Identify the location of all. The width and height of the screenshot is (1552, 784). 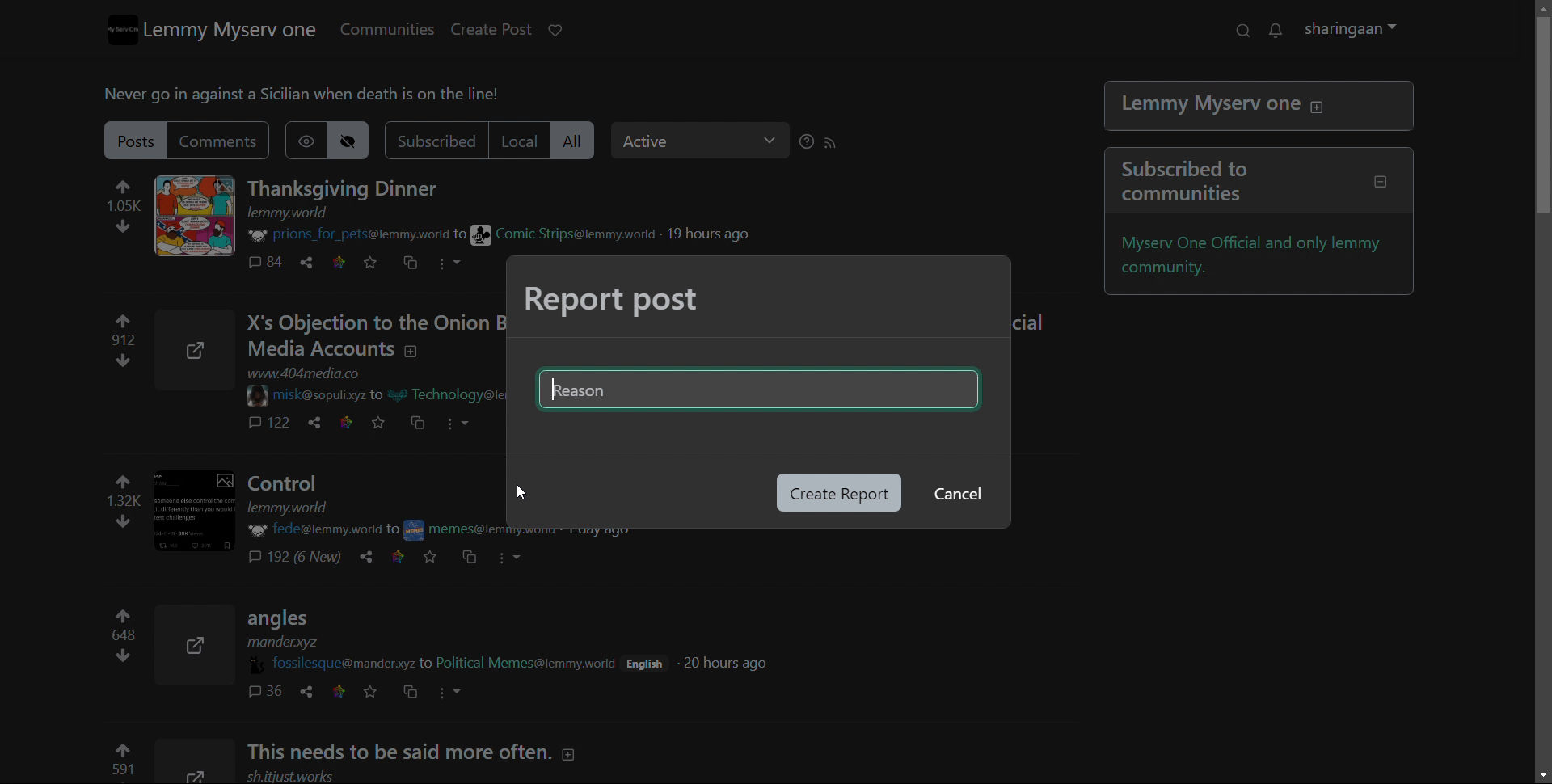
(584, 141).